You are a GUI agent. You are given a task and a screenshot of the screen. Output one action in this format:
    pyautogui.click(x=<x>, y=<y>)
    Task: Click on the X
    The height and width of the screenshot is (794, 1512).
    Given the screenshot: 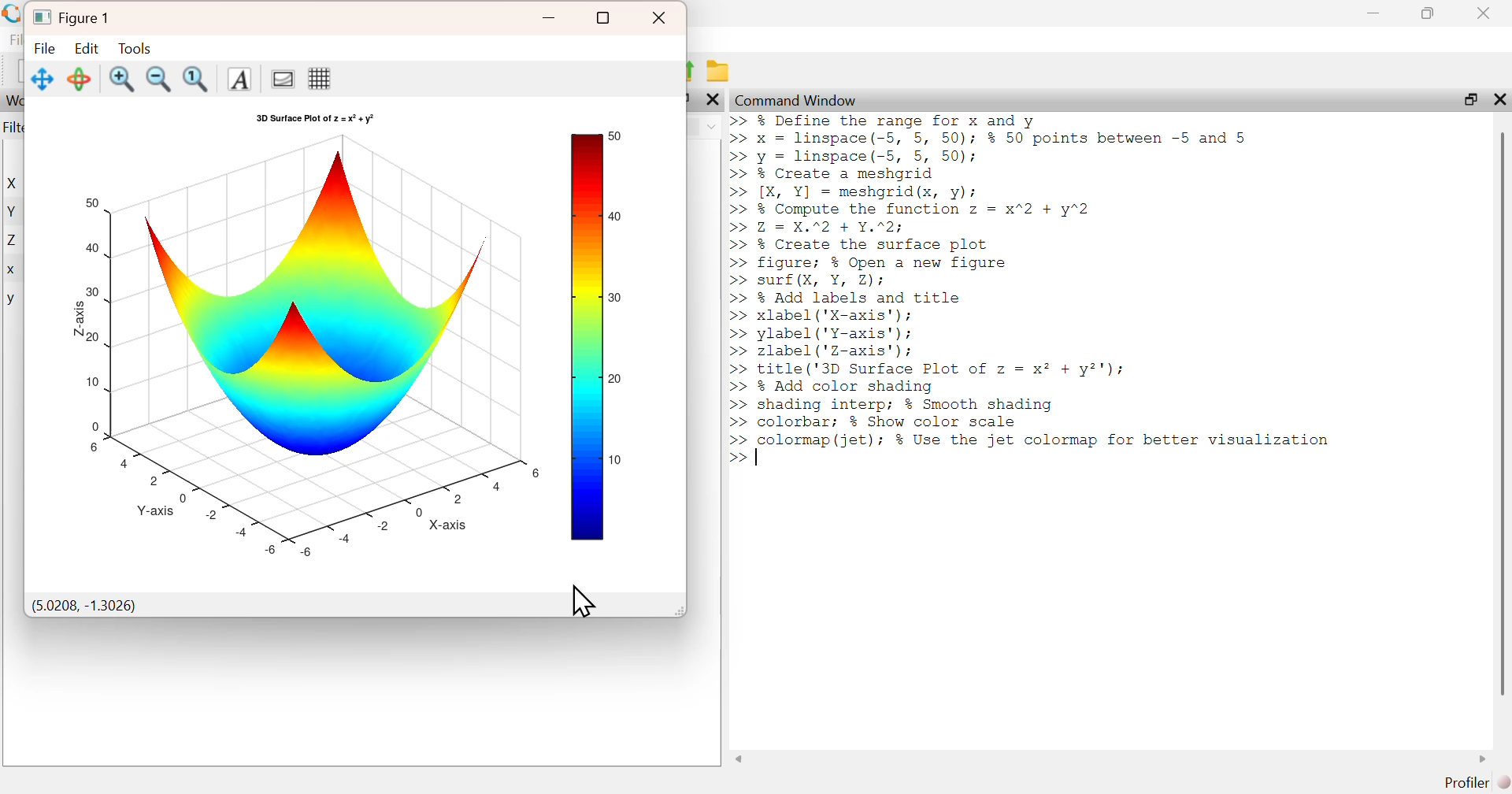 What is the action you would take?
    pyautogui.click(x=15, y=184)
    